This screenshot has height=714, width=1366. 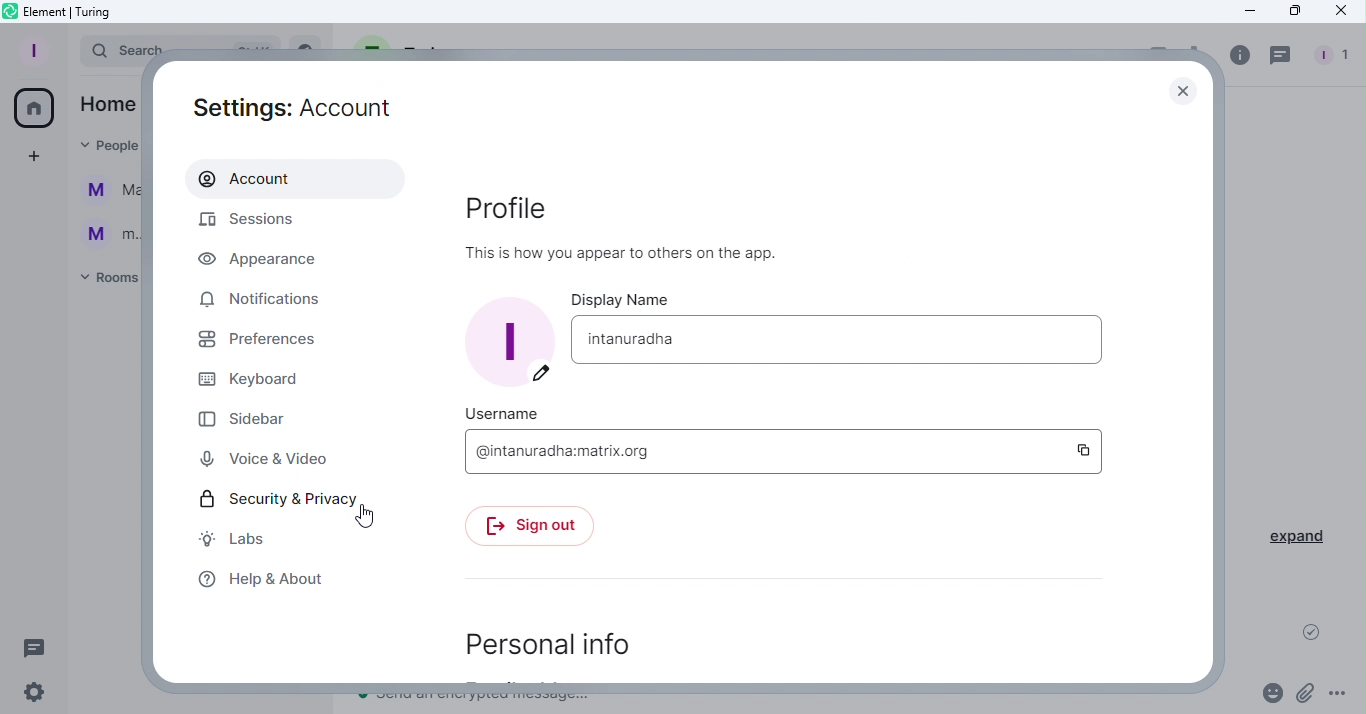 What do you see at coordinates (1341, 12) in the screenshot?
I see `Close` at bounding box center [1341, 12].